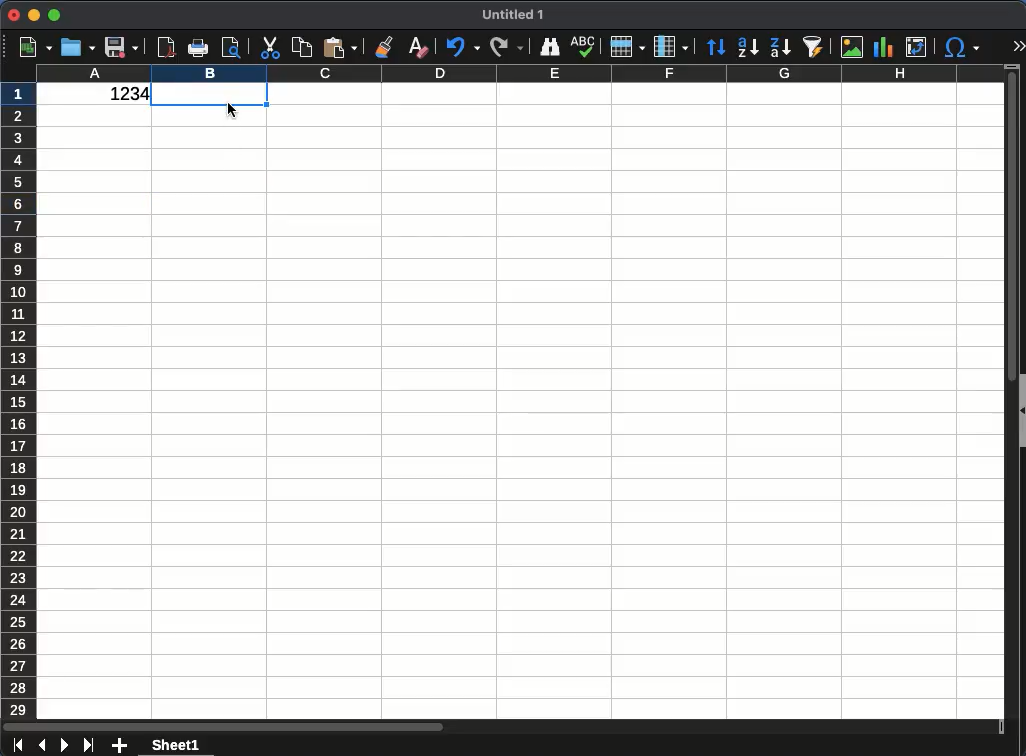 The height and width of the screenshot is (756, 1026). Describe the element at coordinates (504, 726) in the screenshot. I see `scroll` at that location.